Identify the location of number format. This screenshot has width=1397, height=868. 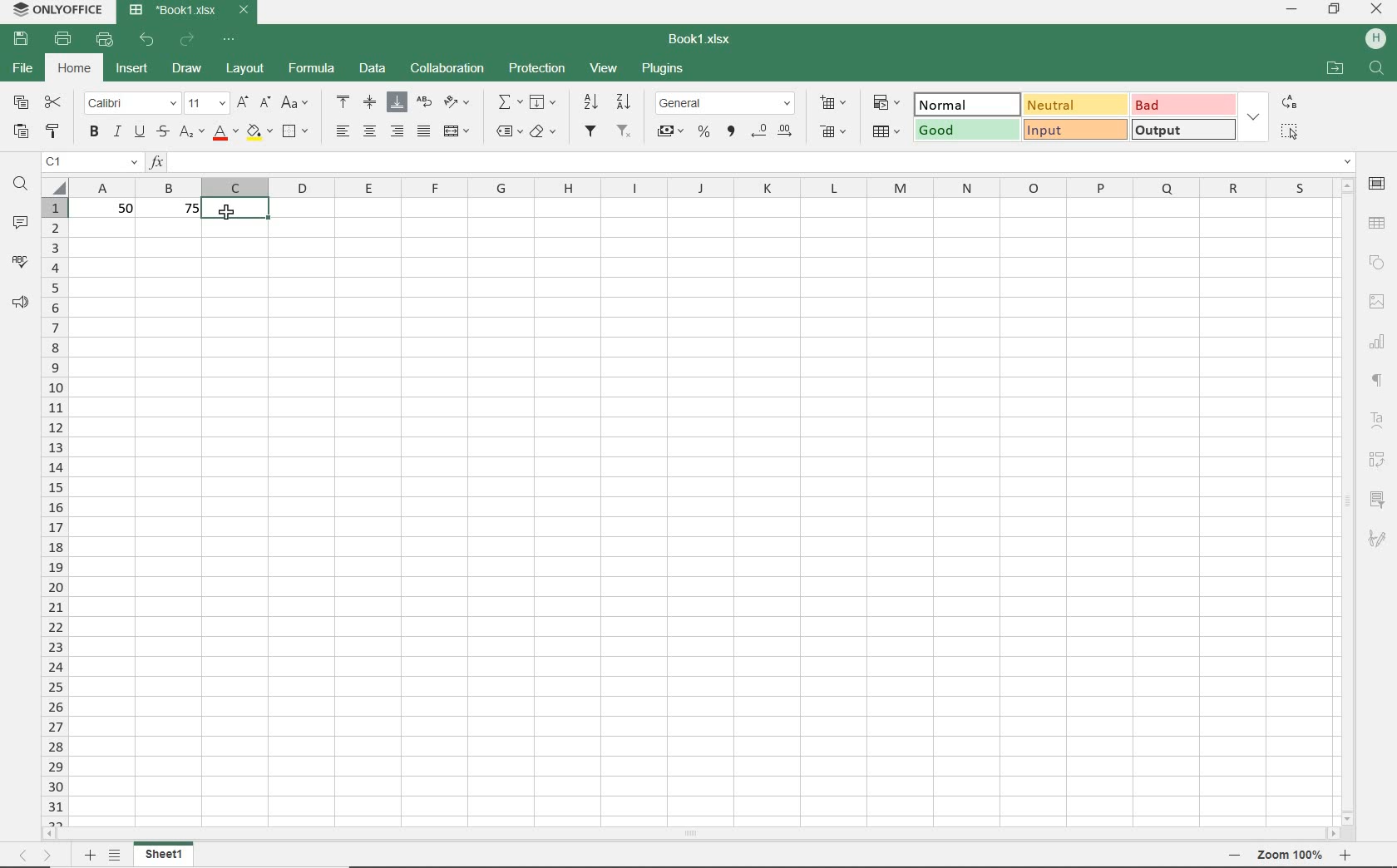
(724, 101).